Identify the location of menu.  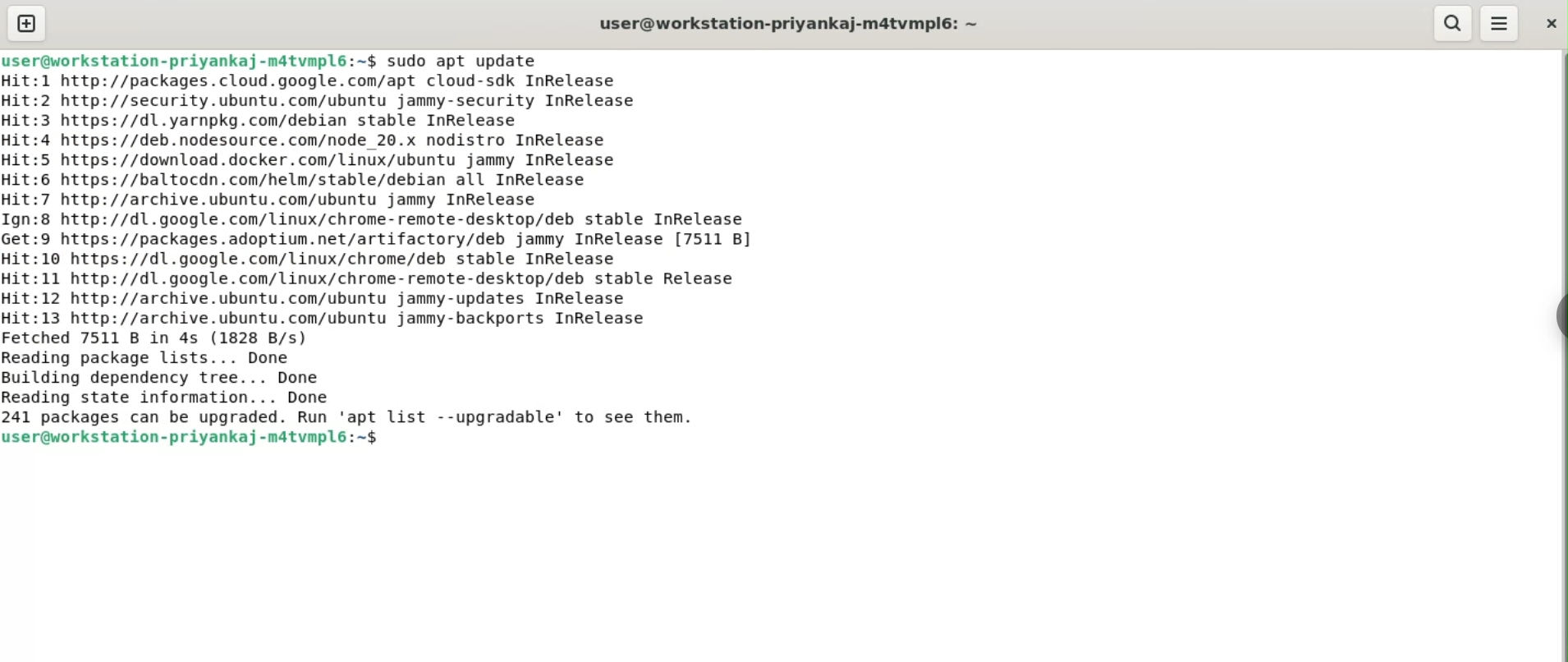
(1500, 22).